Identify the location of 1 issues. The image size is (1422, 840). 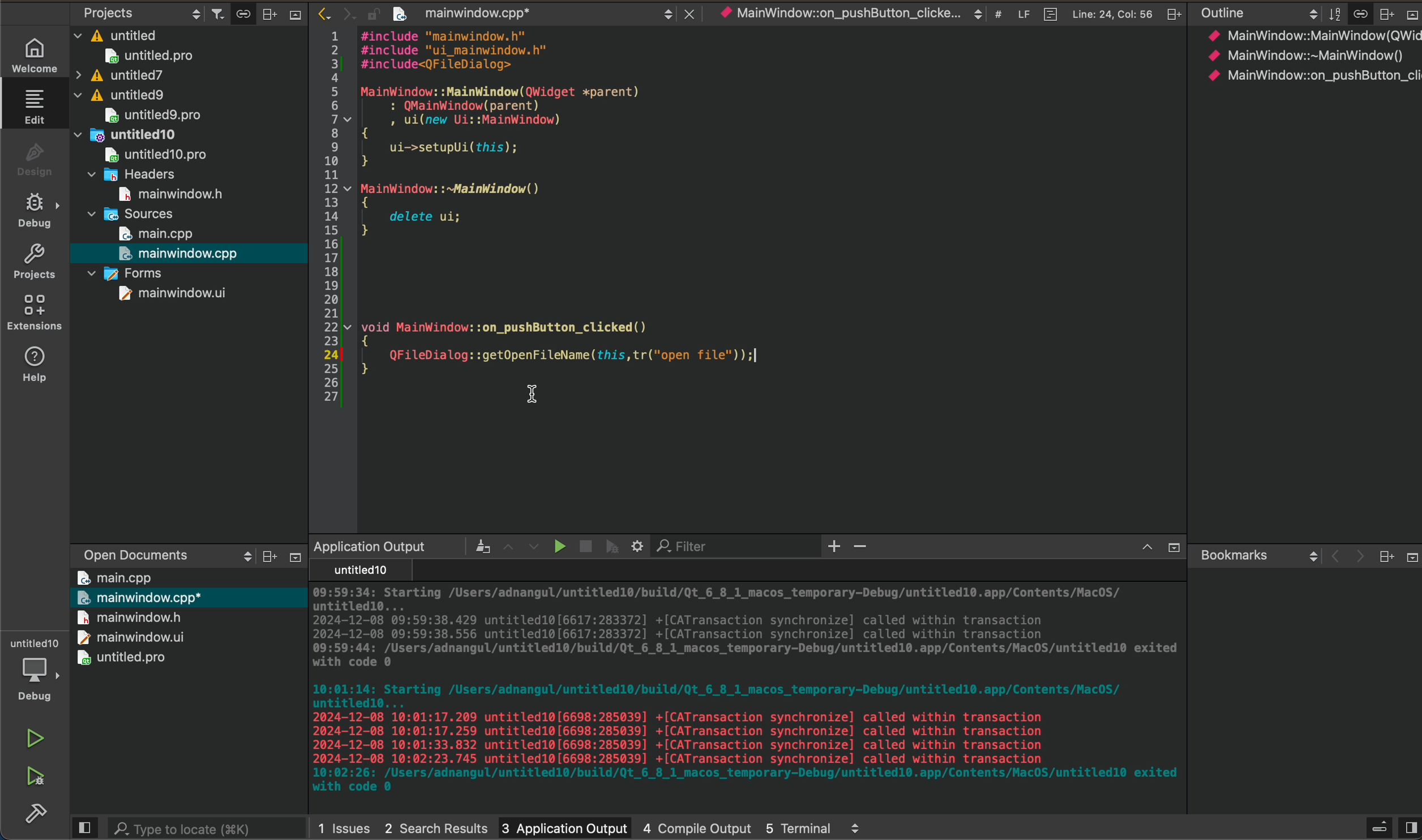
(344, 825).